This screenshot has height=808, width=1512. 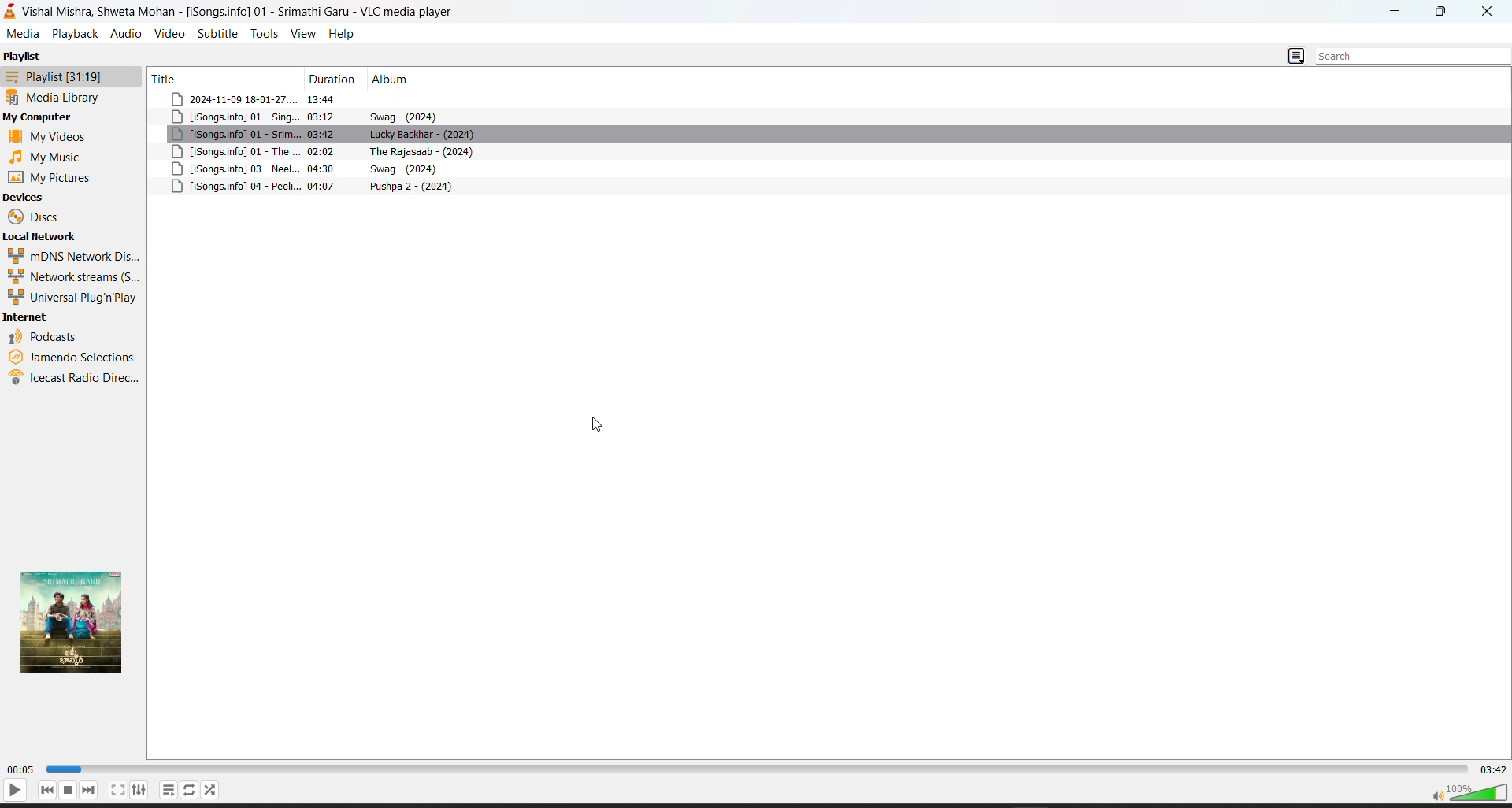 What do you see at coordinates (78, 623) in the screenshot?
I see `thumbnail` at bounding box center [78, 623].